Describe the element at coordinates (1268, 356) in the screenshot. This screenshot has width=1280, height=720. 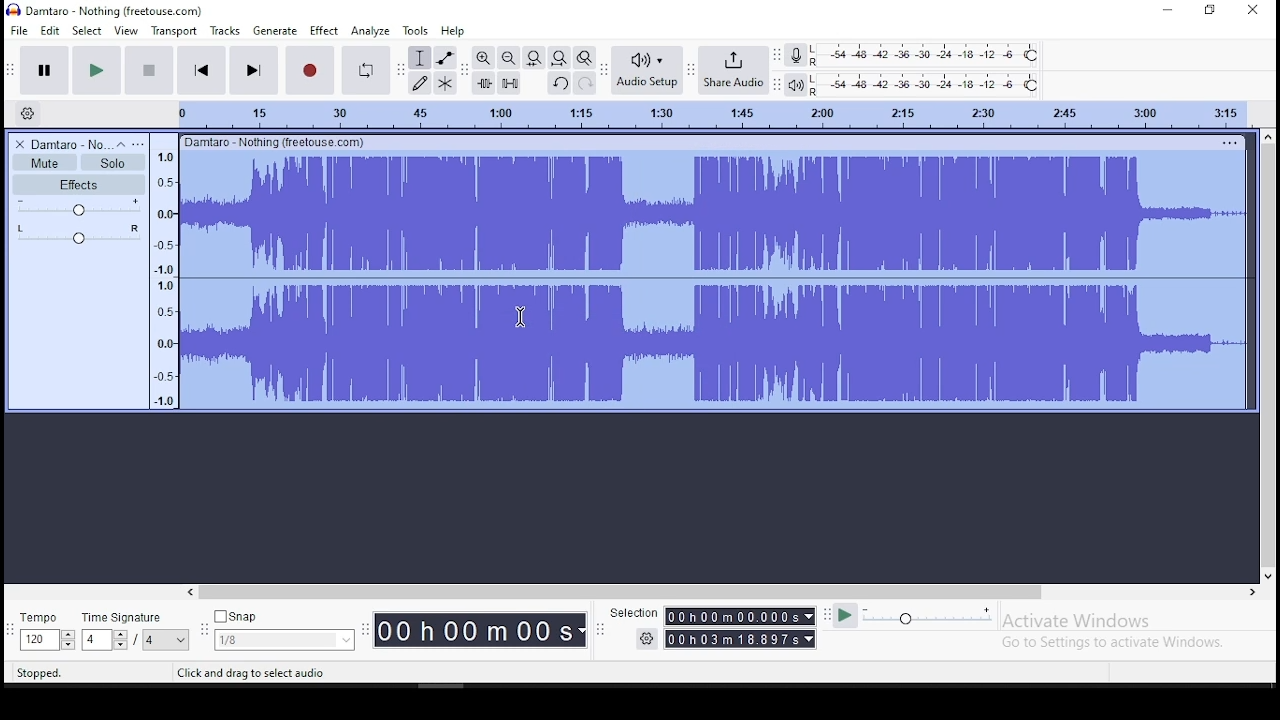
I see `scroll bar` at that location.